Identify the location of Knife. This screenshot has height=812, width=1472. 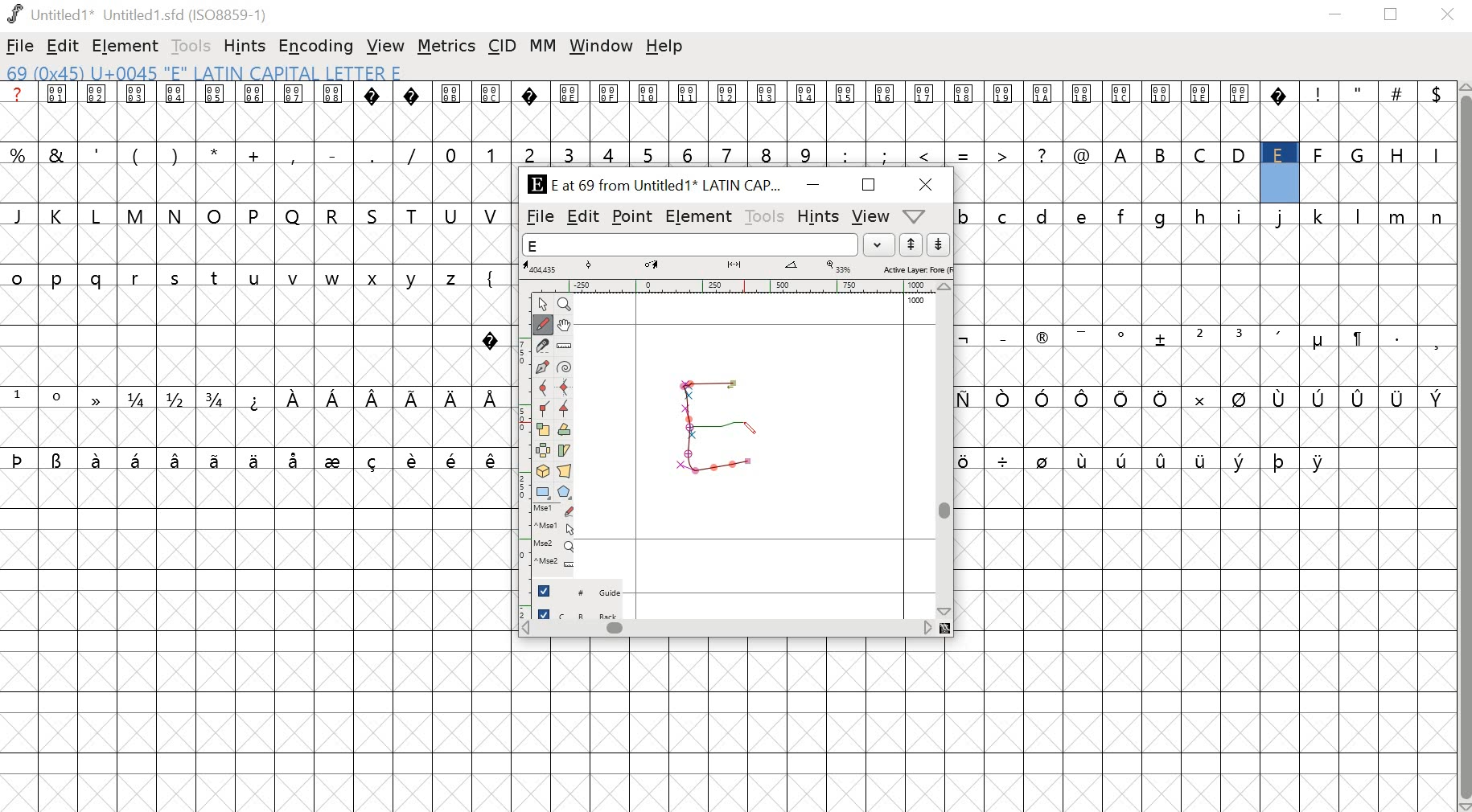
(544, 346).